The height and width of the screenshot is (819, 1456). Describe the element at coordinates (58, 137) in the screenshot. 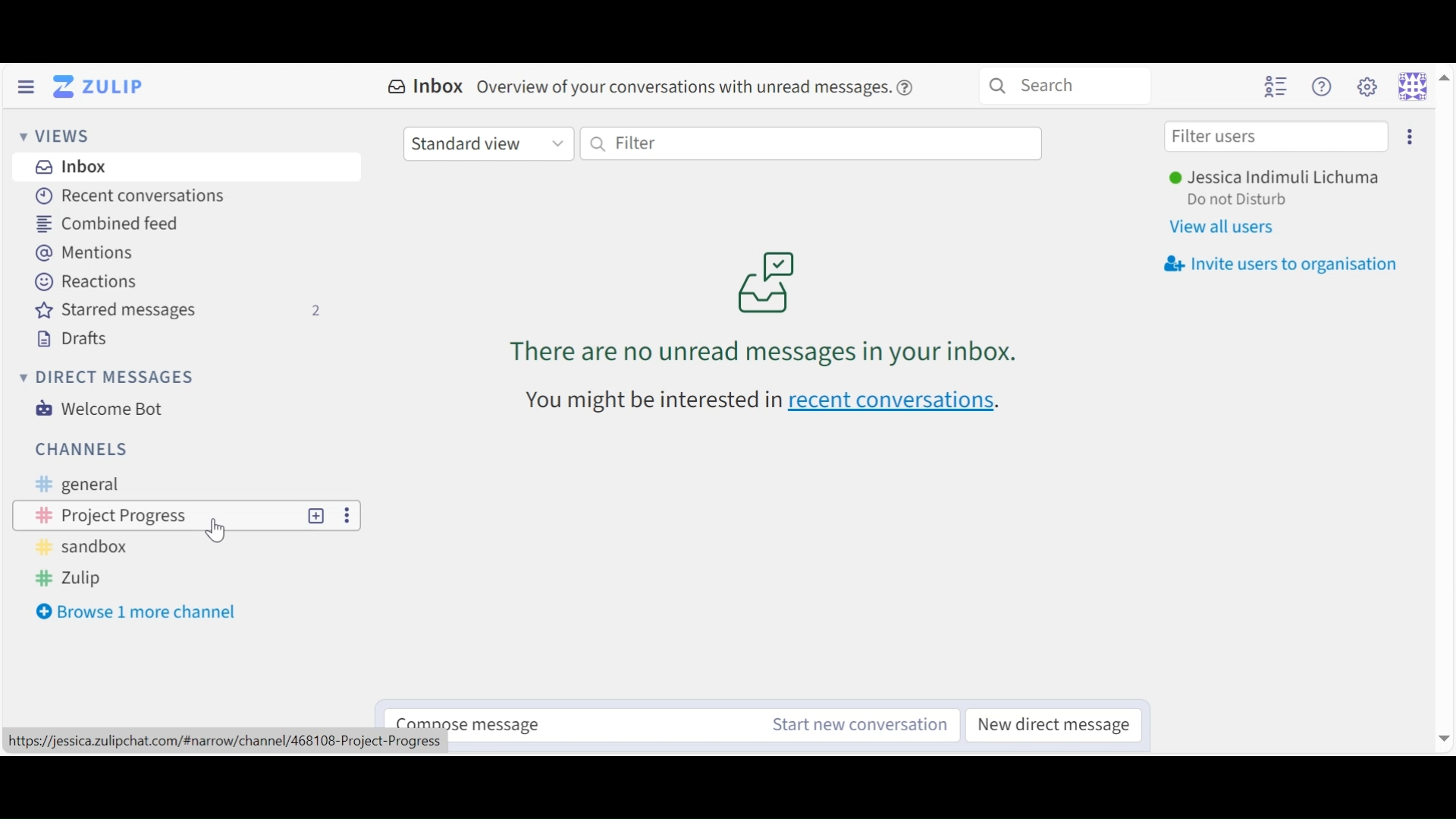

I see `Views` at that location.